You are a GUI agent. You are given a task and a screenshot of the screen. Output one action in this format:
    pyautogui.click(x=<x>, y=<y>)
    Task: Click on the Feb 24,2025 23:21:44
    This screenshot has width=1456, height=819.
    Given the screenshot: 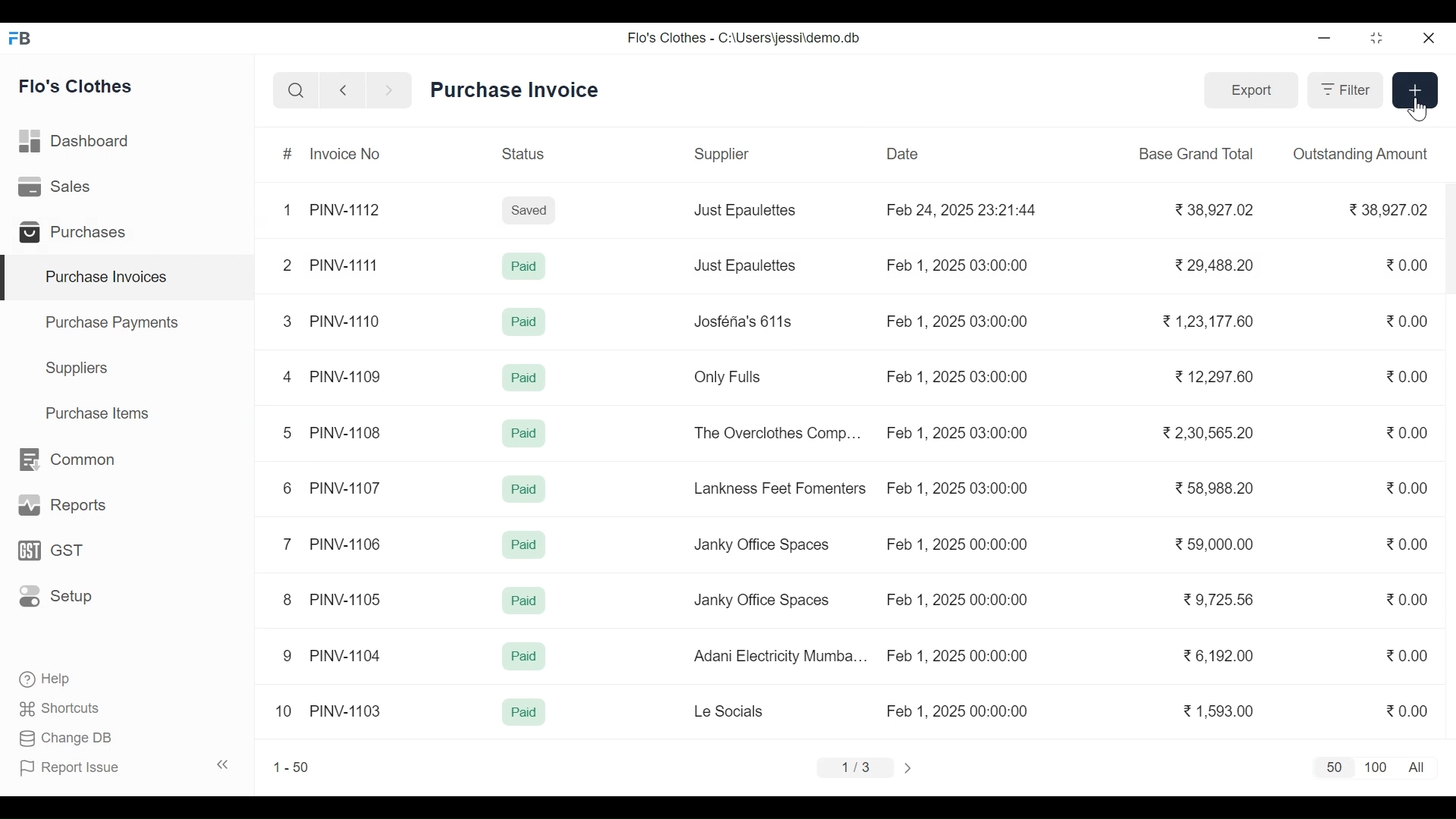 What is the action you would take?
    pyautogui.click(x=965, y=211)
    